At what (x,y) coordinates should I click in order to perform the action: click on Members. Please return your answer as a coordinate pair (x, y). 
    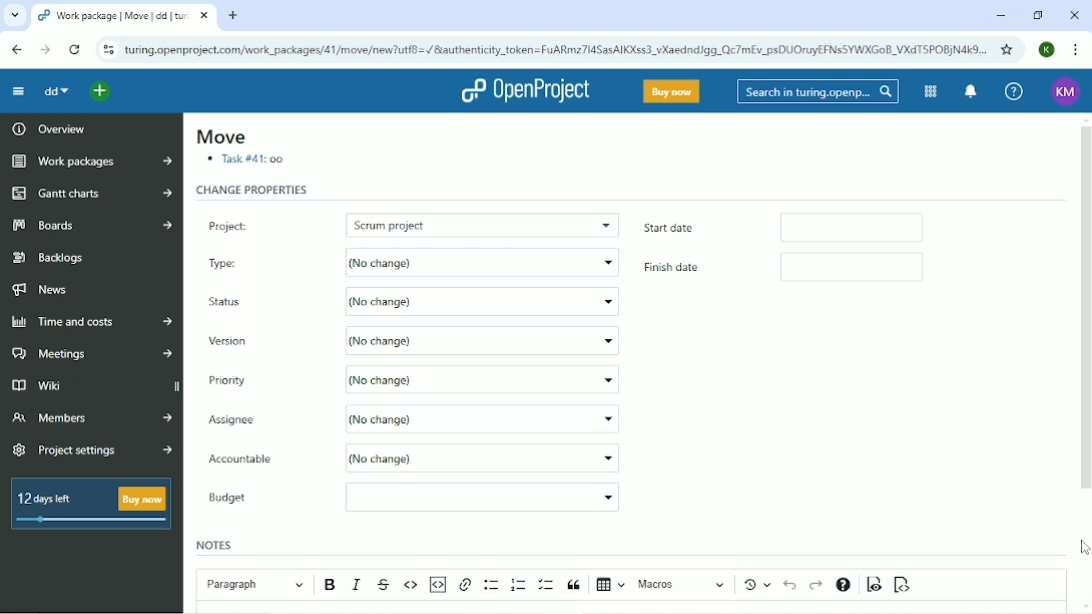
    Looking at the image, I should click on (89, 421).